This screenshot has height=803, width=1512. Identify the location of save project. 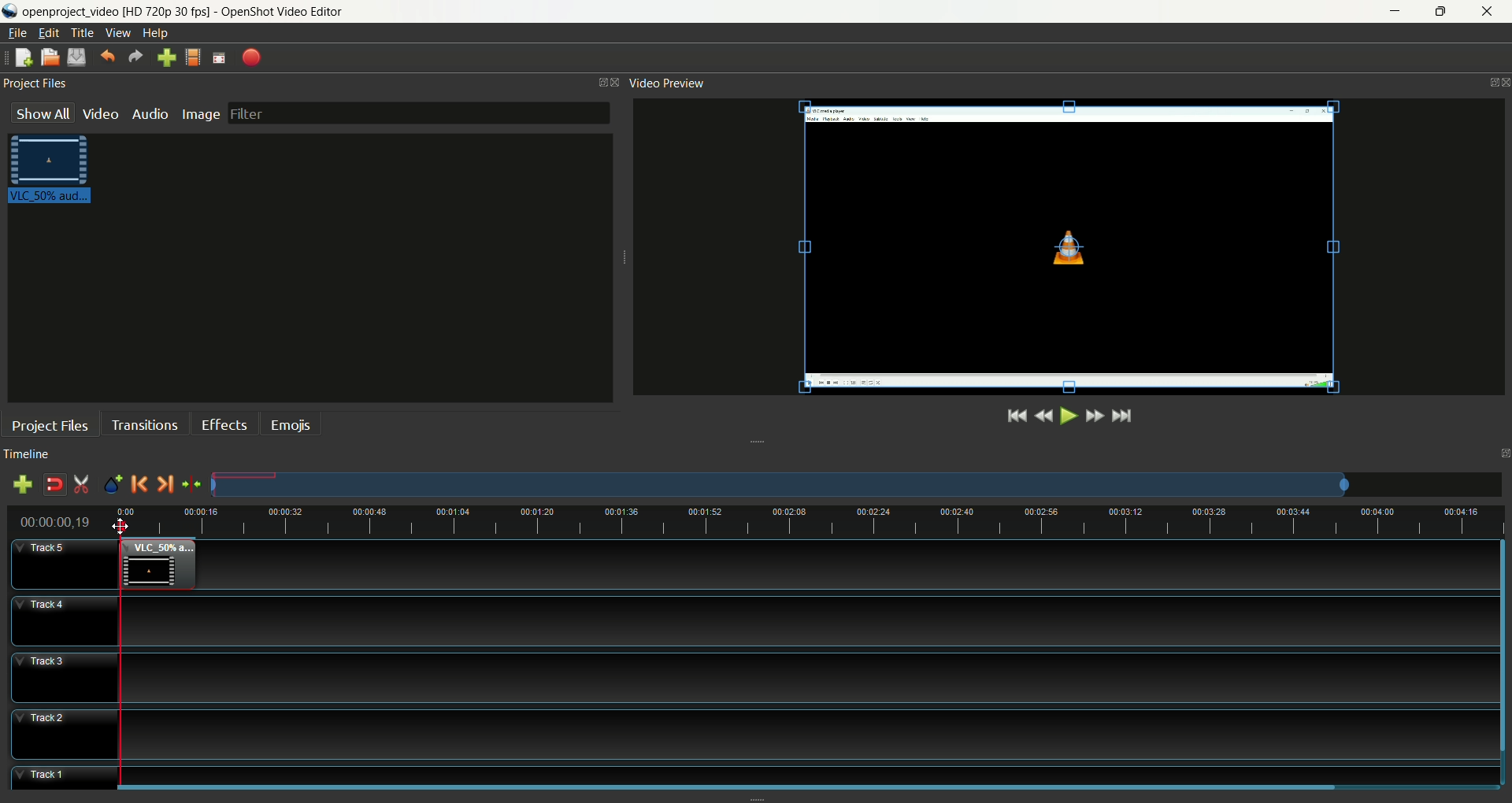
(76, 57).